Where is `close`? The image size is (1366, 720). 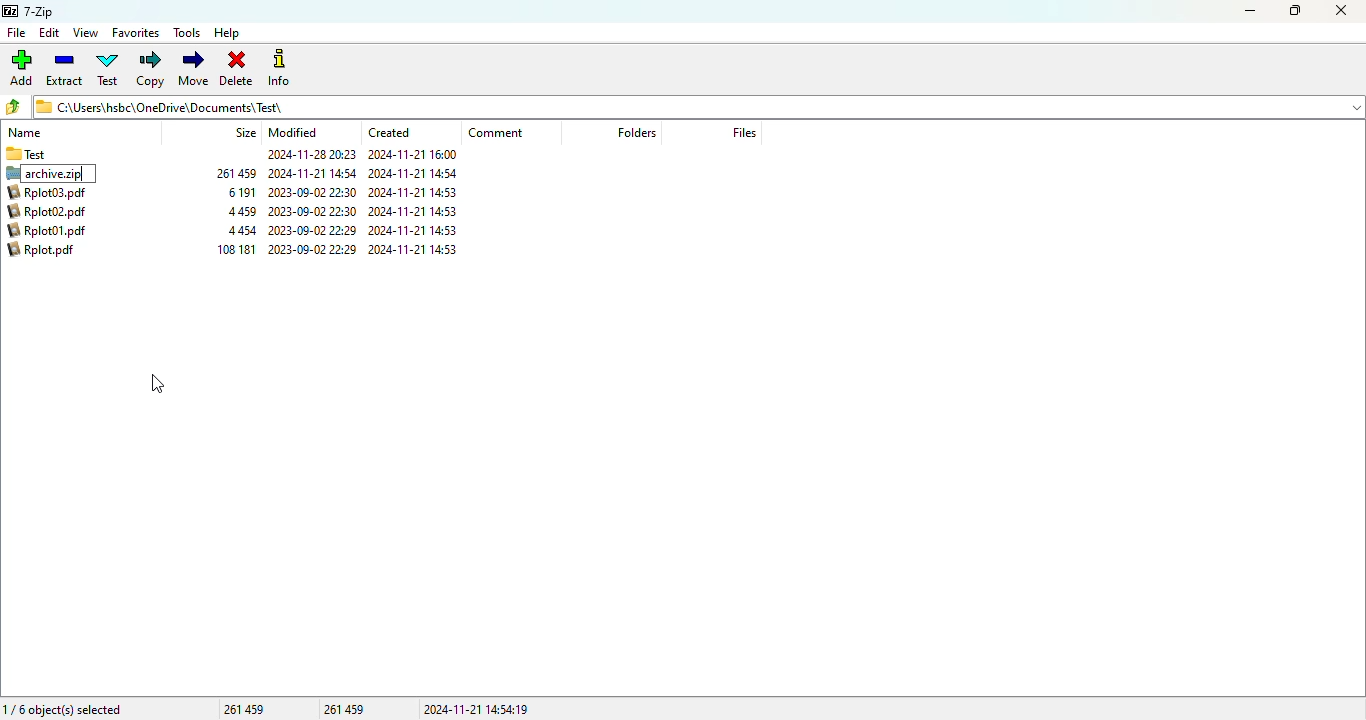 close is located at coordinates (1341, 11).